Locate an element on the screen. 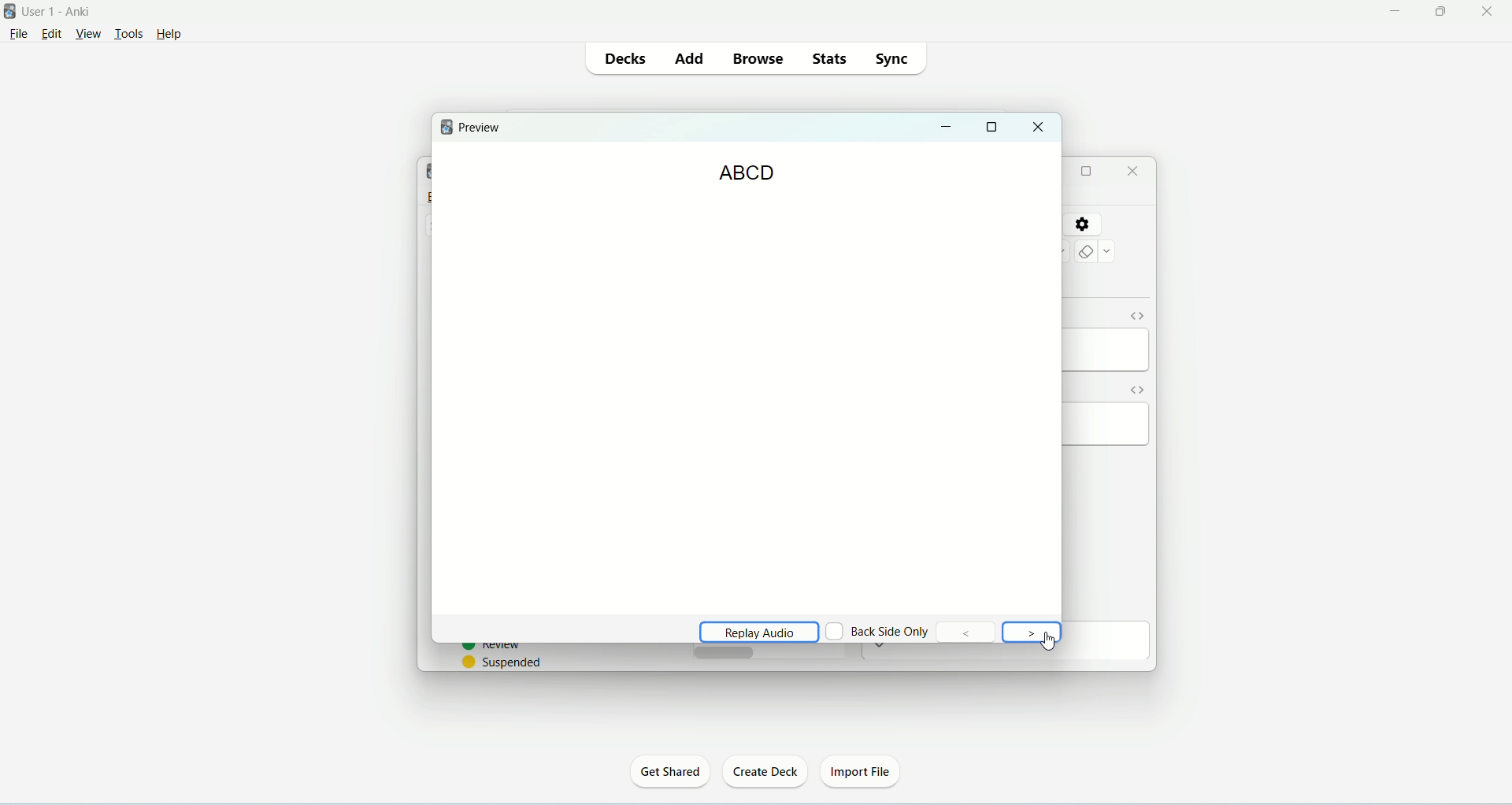  tools is located at coordinates (128, 35).